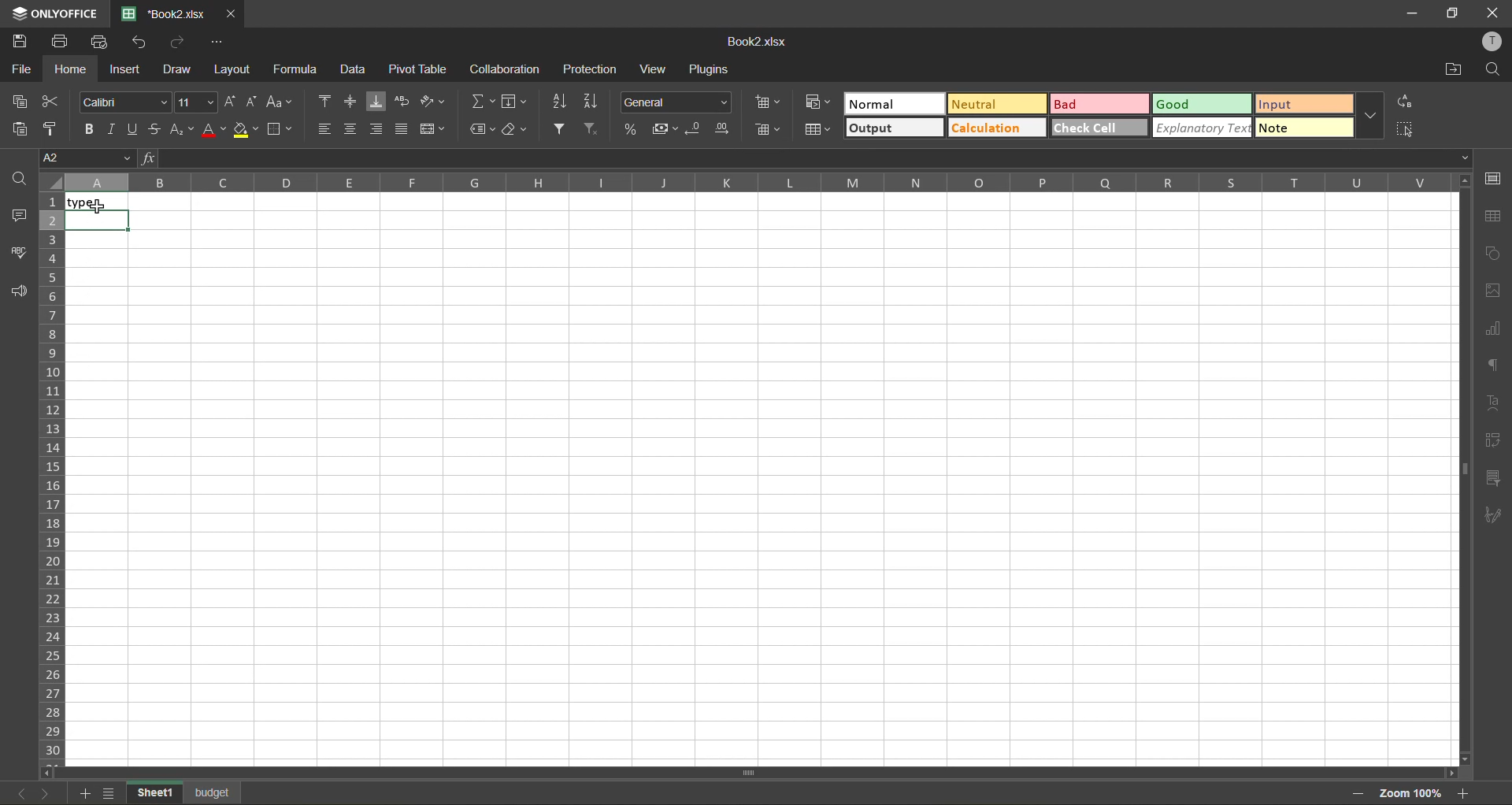  I want to click on font size, so click(195, 101).